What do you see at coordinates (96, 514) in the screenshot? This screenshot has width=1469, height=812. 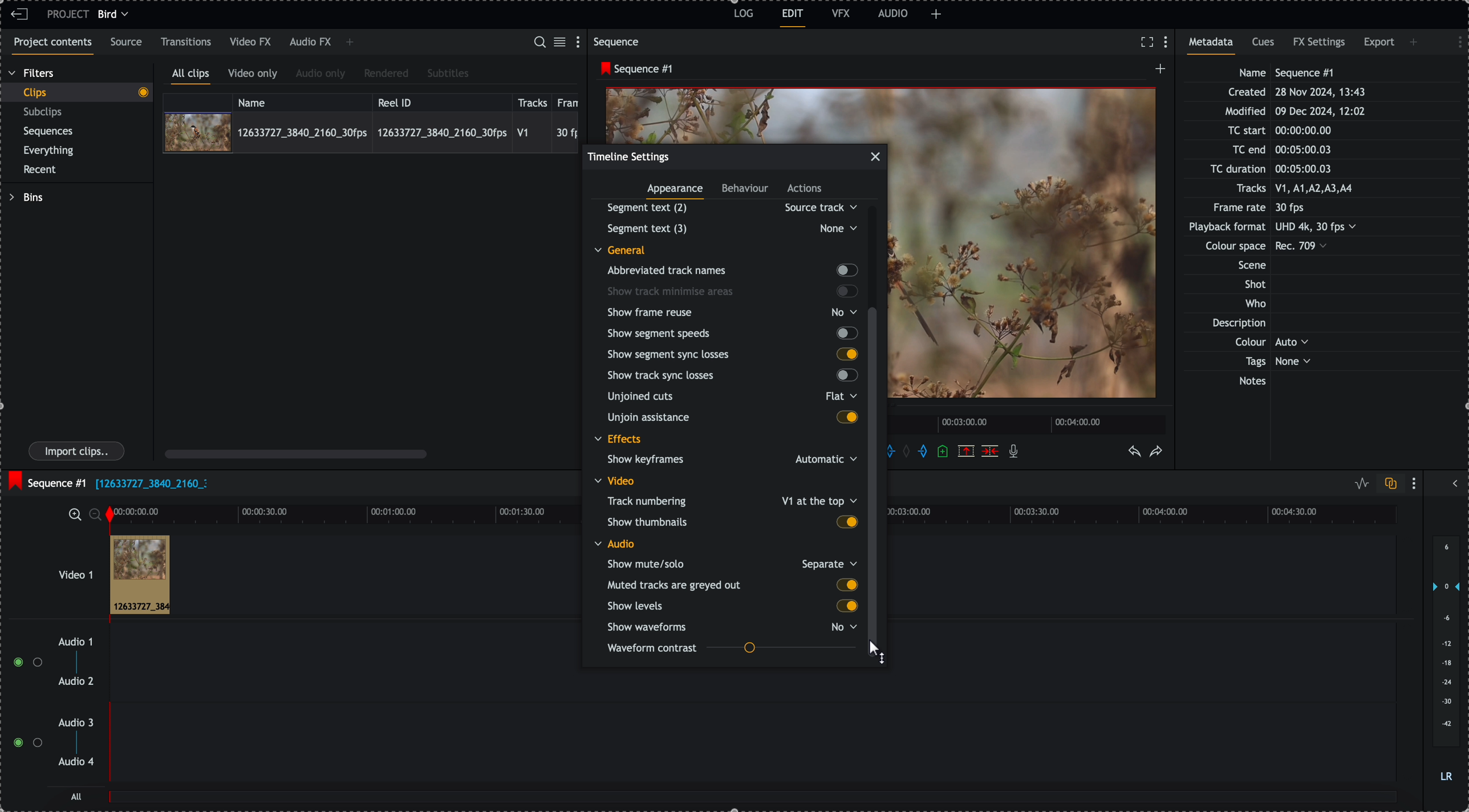 I see `zoom ouy` at bounding box center [96, 514].